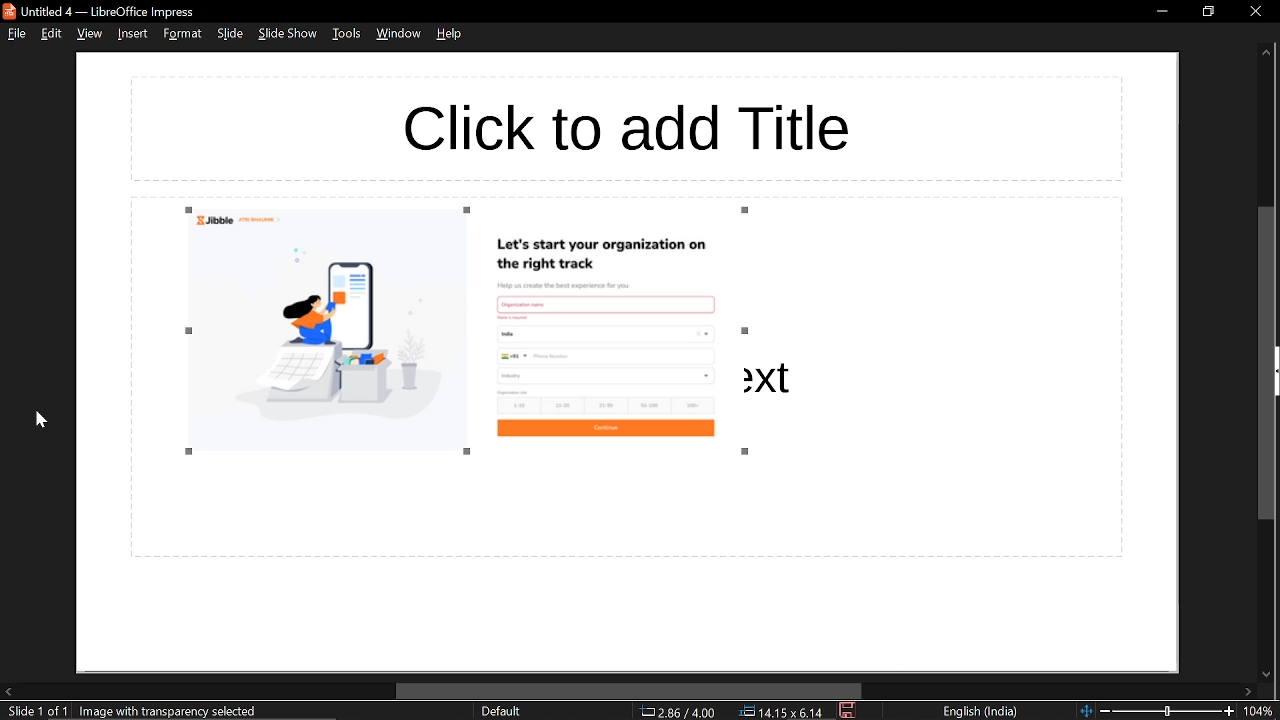 The image size is (1280, 720). What do you see at coordinates (43, 422) in the screenshot?
I see `cursor` at bounding box center [43, 422].